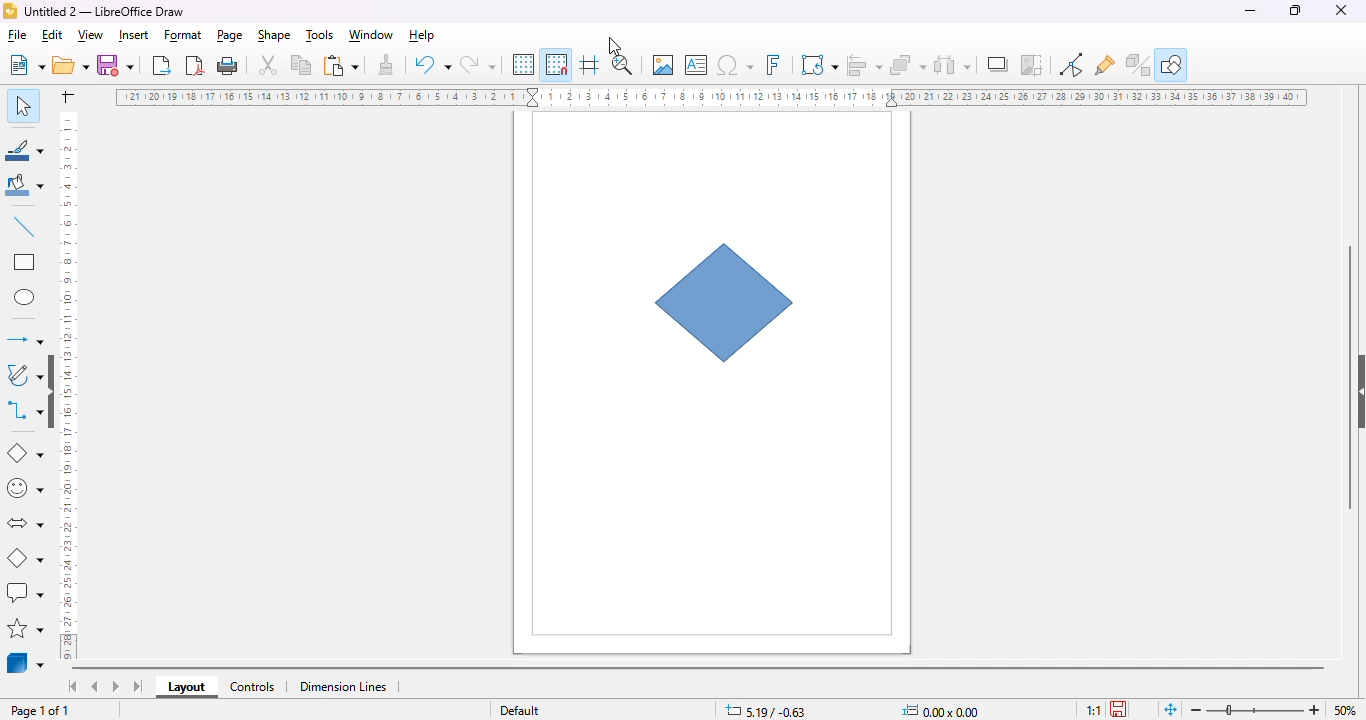  I want to click on scroll to next sheet, so click(116, 687).